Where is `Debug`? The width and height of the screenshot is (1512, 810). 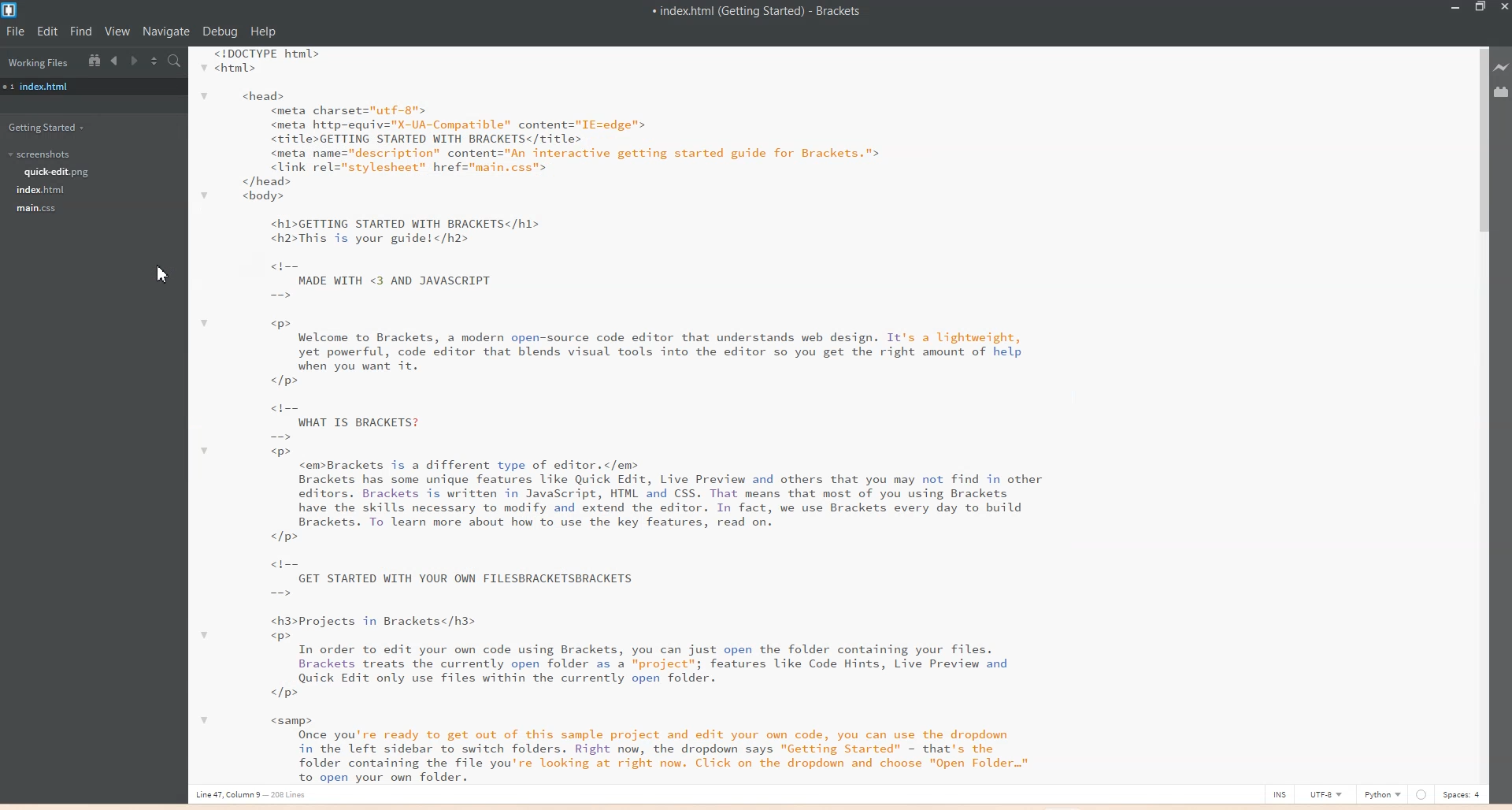 Debug is located at coordinates (220, 31).